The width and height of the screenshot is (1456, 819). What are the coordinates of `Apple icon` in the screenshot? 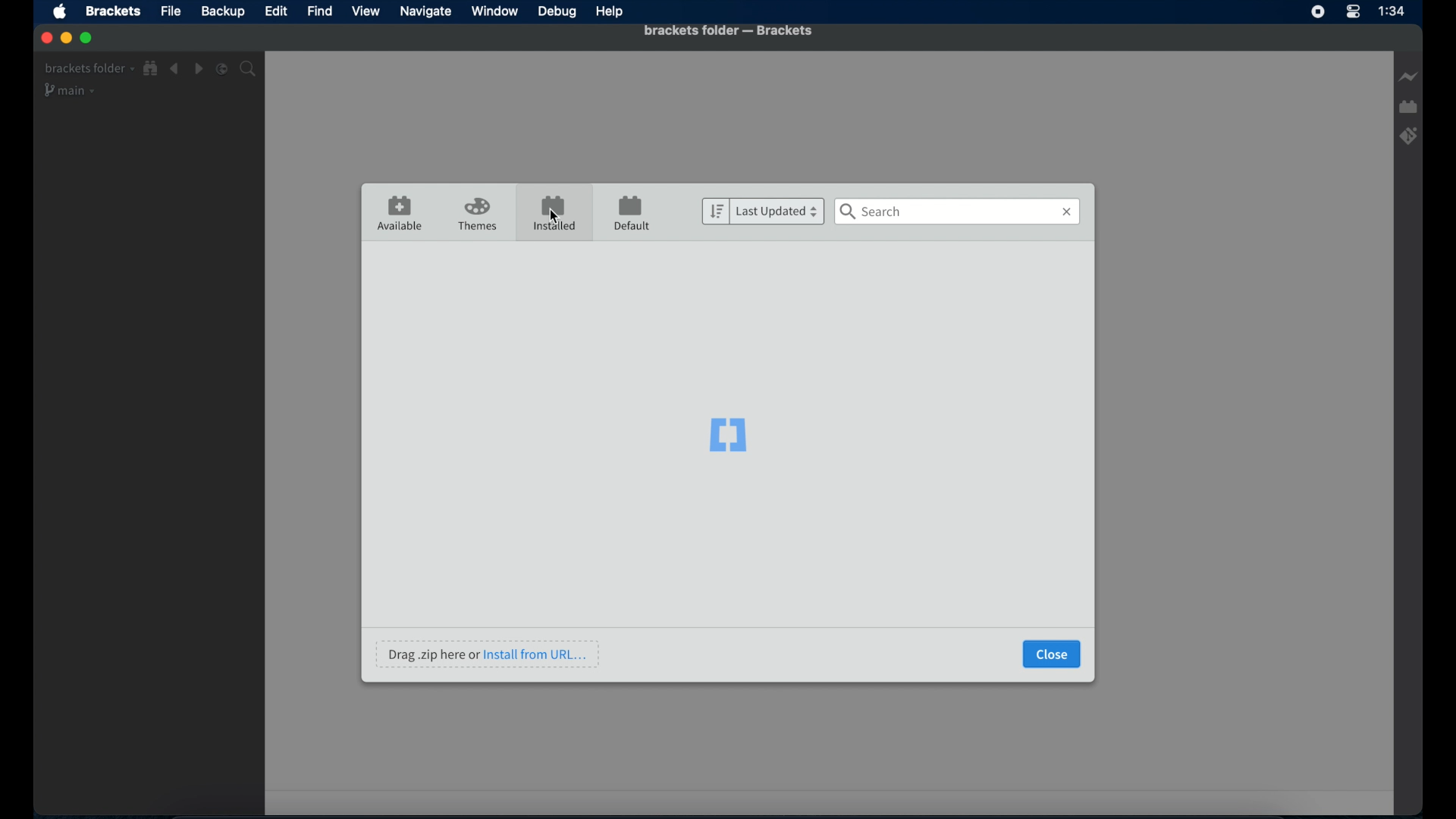 It's located at (61, 13).